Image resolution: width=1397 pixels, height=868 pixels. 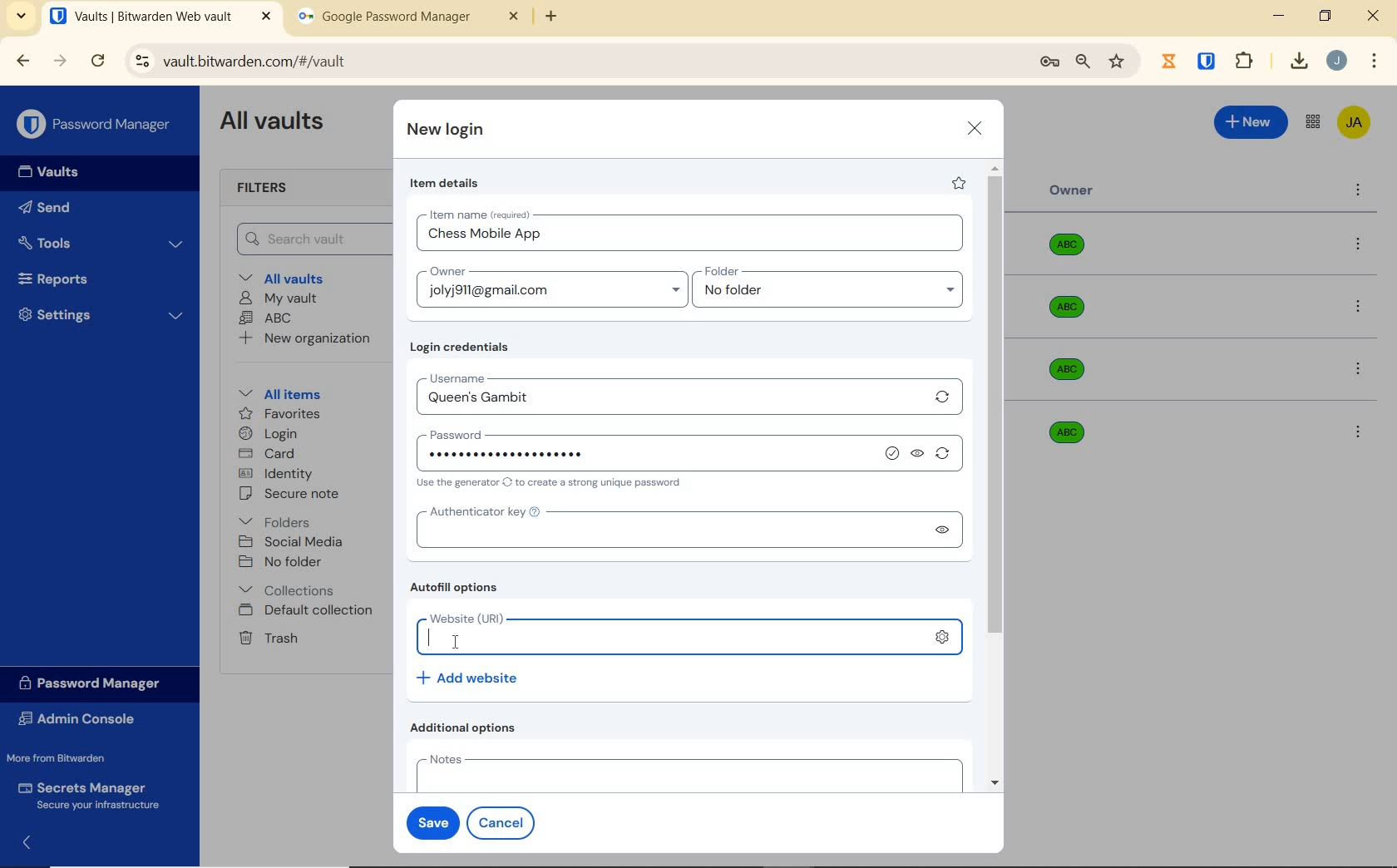 What do you see at coordinates (72, 275) in the screenshot?
I see `Reports` at bounding box center [72, 275].